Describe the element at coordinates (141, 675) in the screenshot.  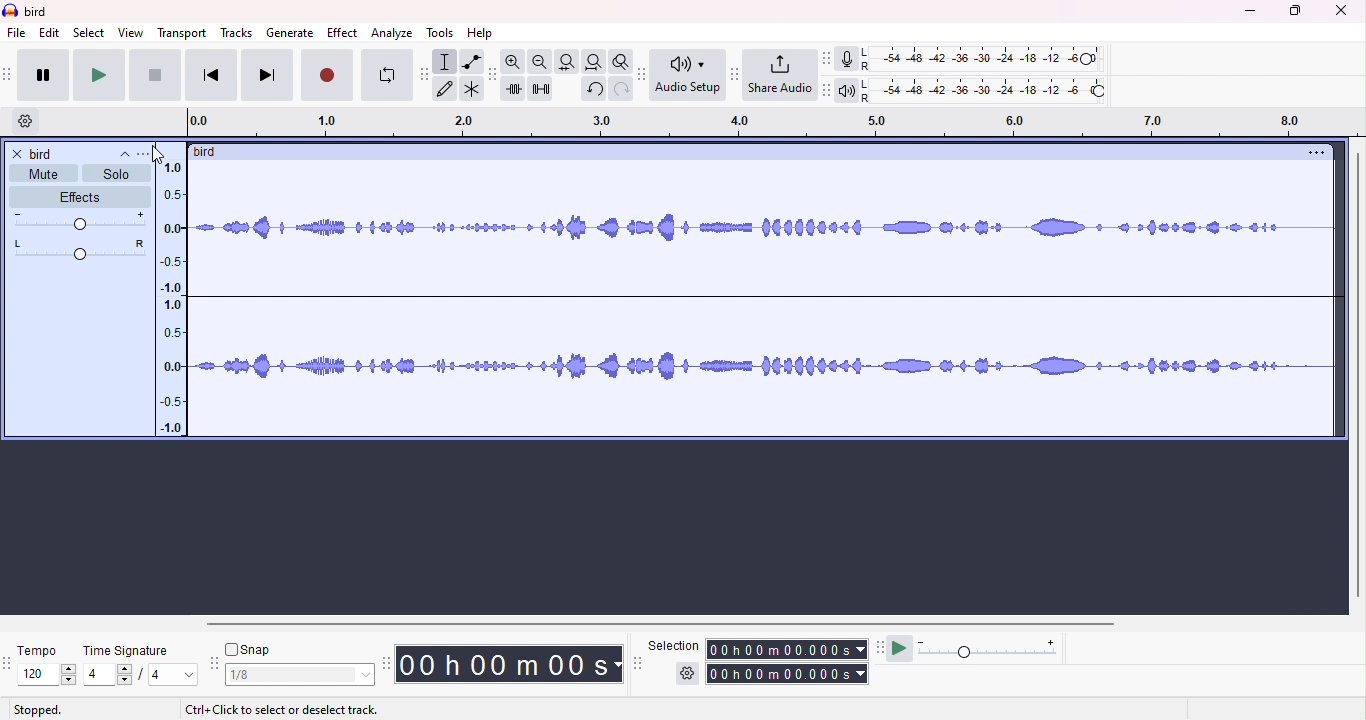
I see `select time signature` at that location.